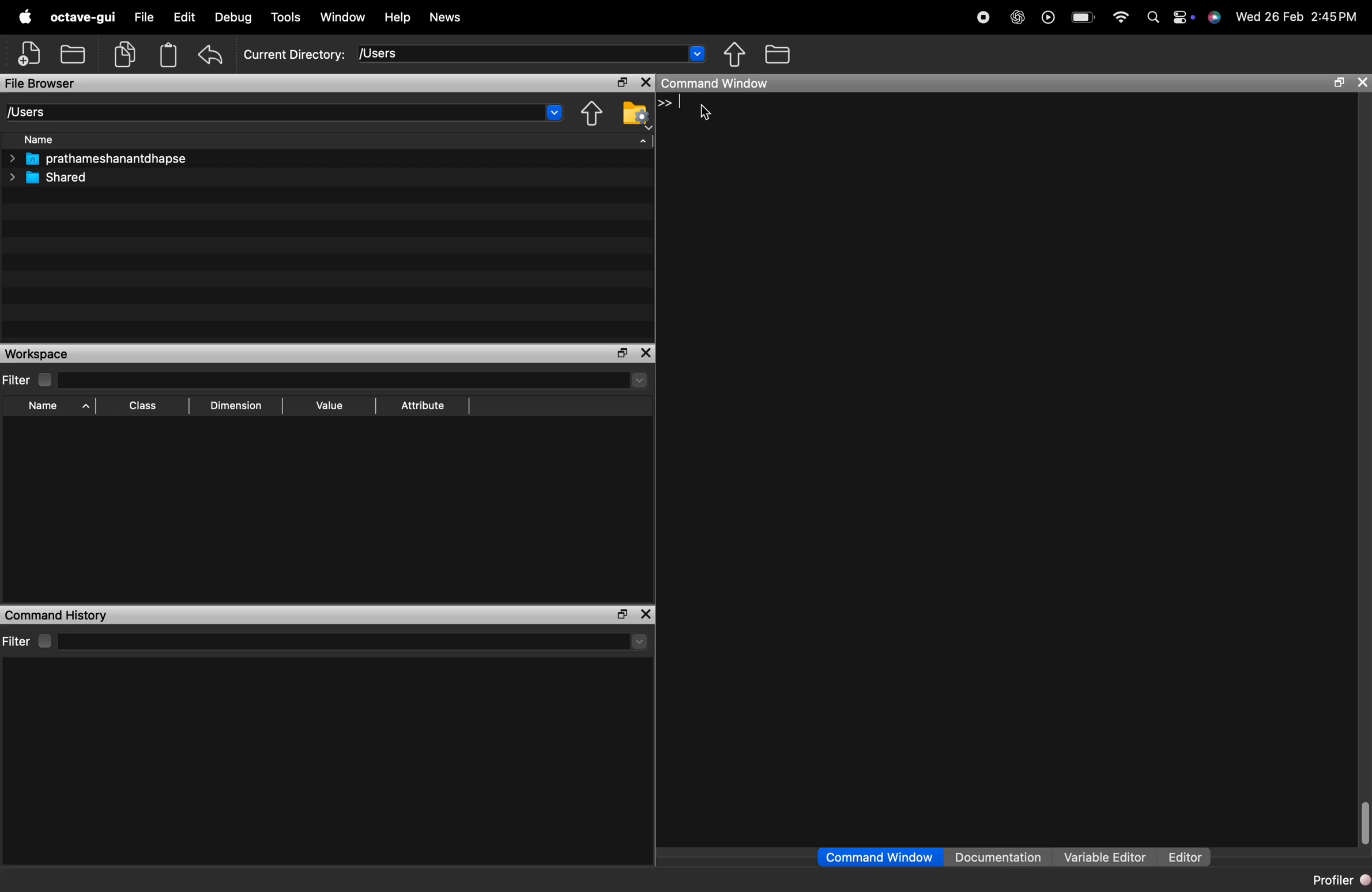  Describe the element at coordinates (703, 115) in the screenshot. I see `cursor` at that location.